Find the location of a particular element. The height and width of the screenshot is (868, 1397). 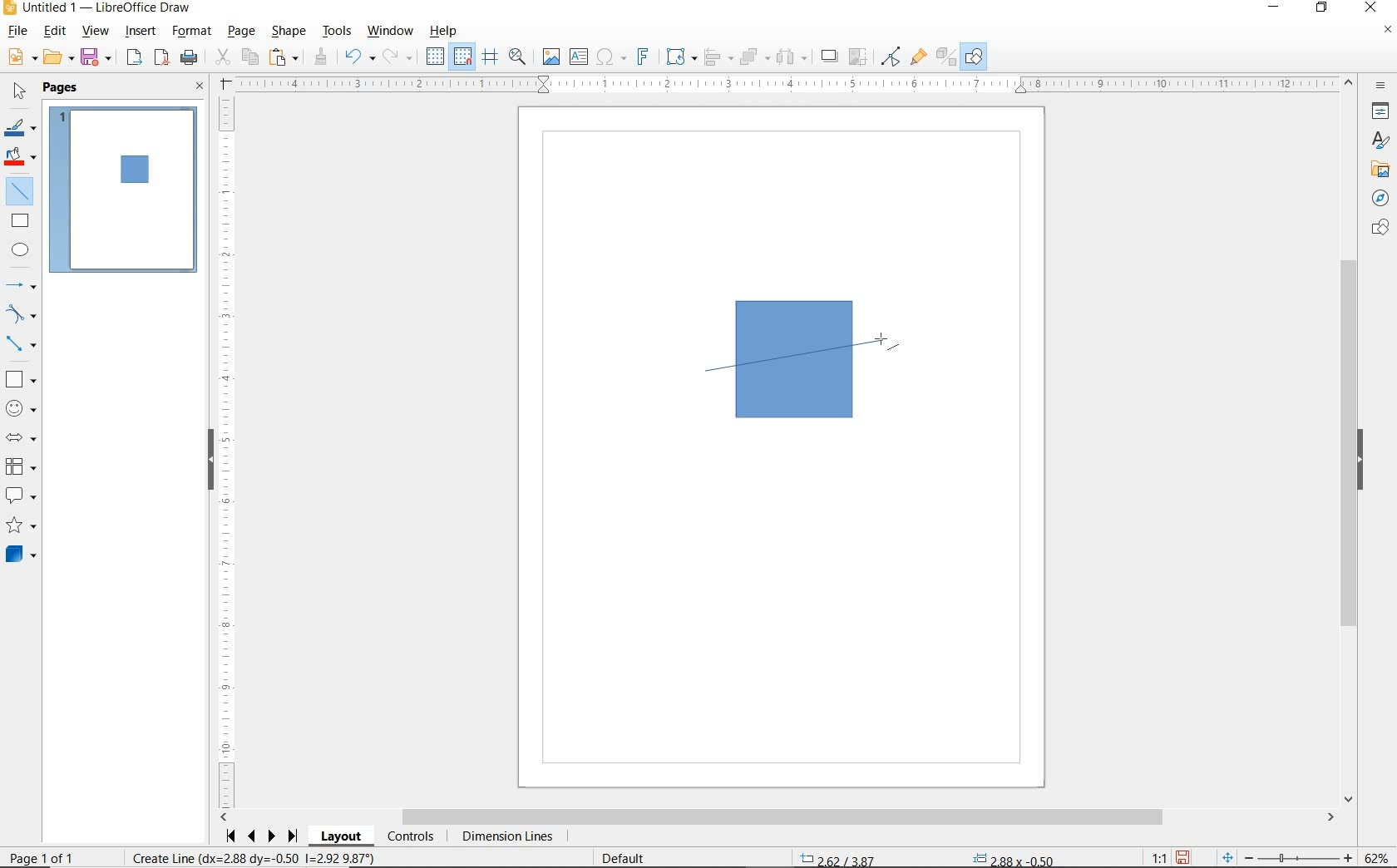

SCALING FACTOR is located at coordinates (1153, 854).